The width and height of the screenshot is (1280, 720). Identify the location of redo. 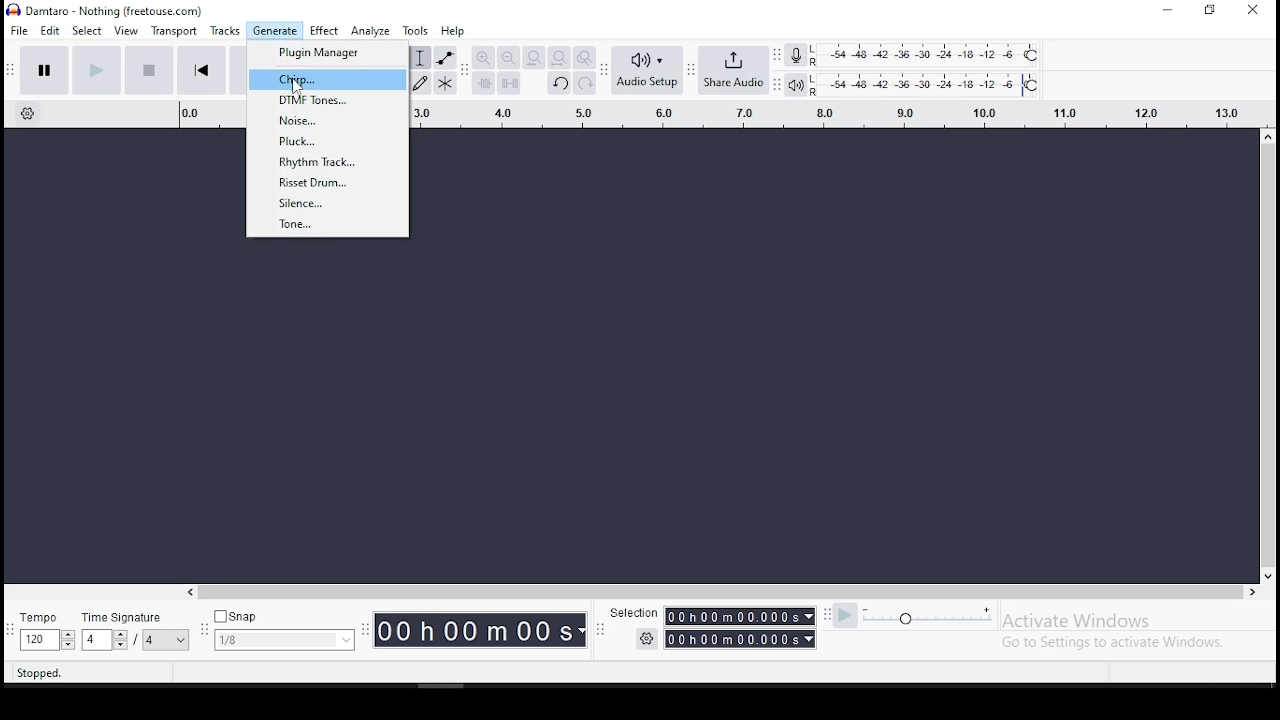
(585, 82).